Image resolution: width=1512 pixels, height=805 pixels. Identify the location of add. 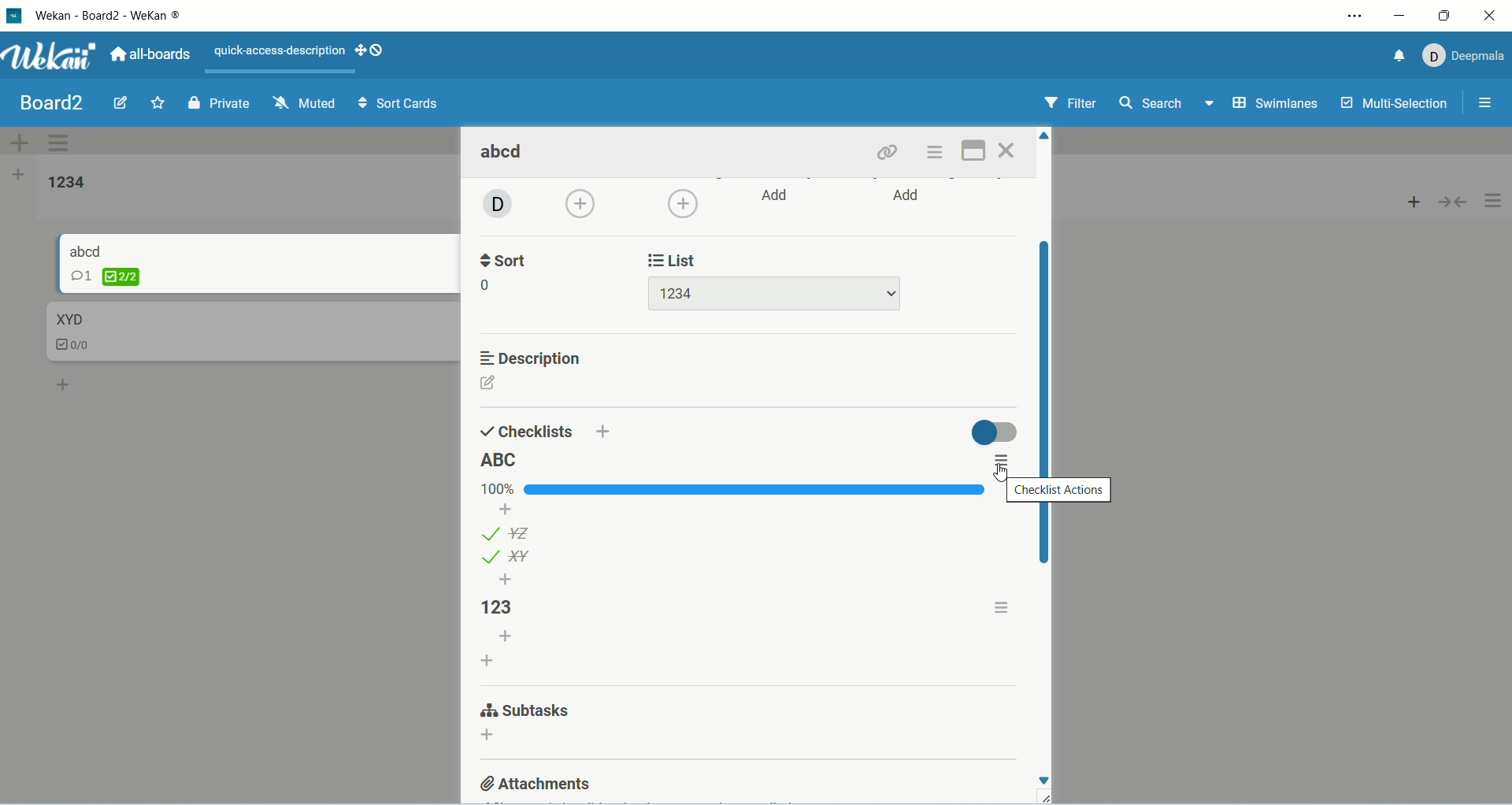
(683, 203).